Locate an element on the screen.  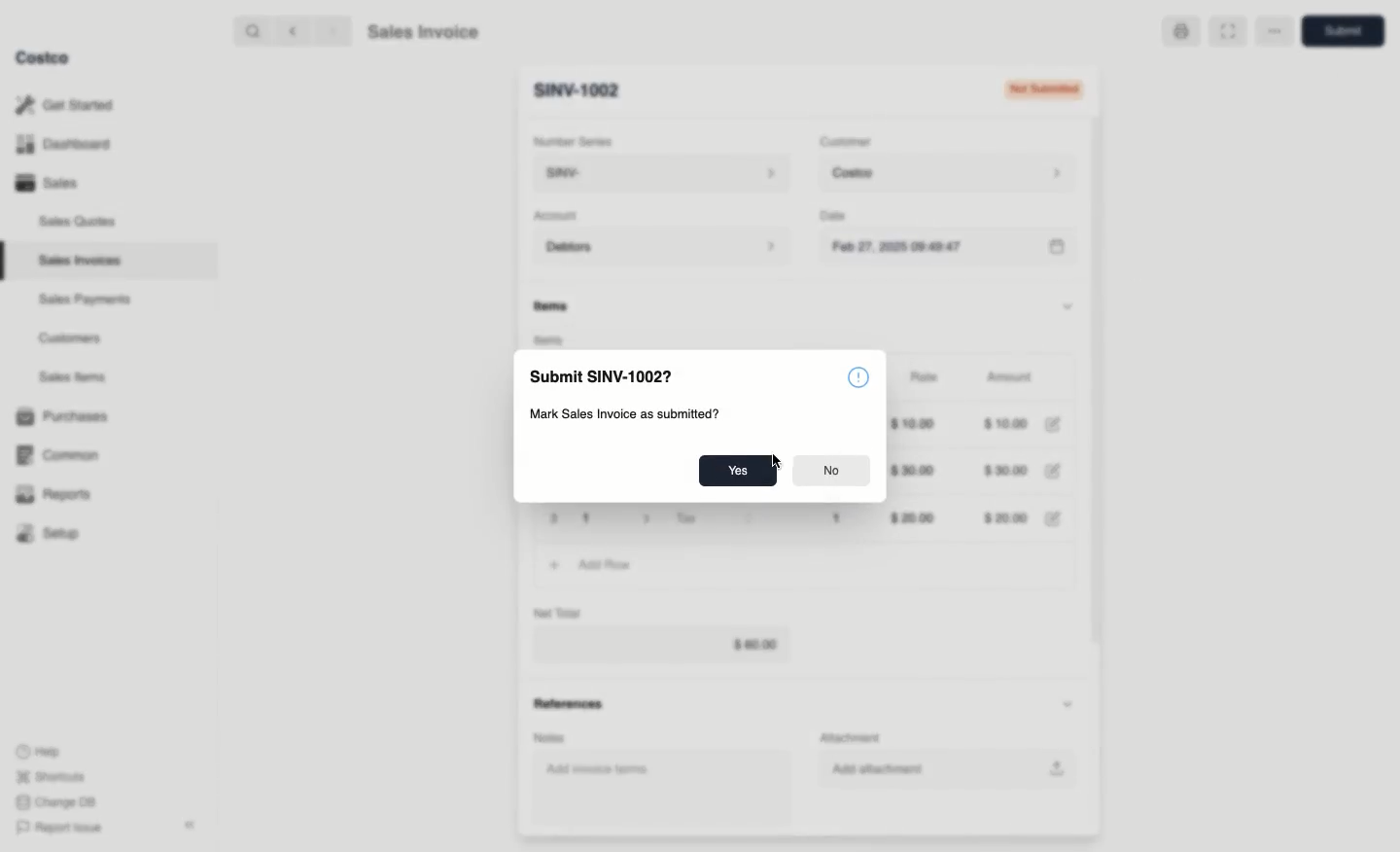
No is located at coordinates (828, 468).